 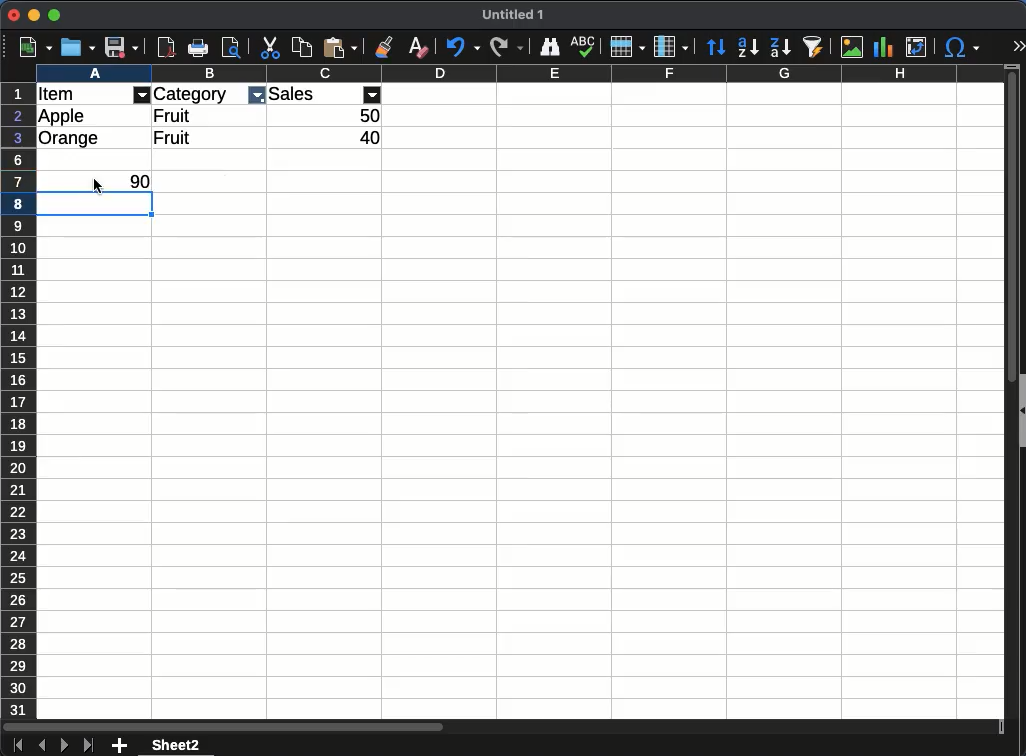 I want to click on collapse, so click(x=1020, y=409).